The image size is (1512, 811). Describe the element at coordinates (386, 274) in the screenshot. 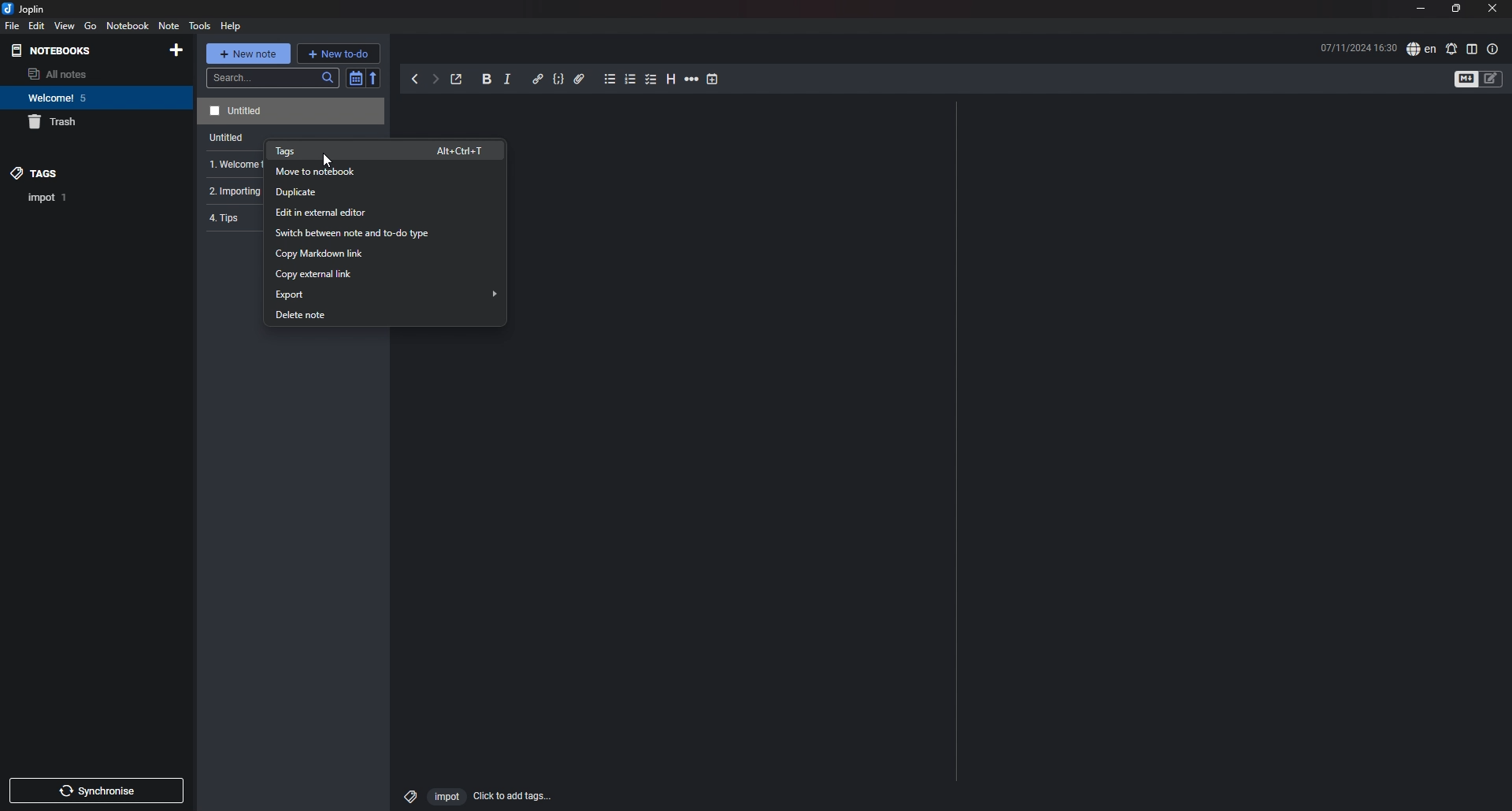

I see `copy external link` at that location.